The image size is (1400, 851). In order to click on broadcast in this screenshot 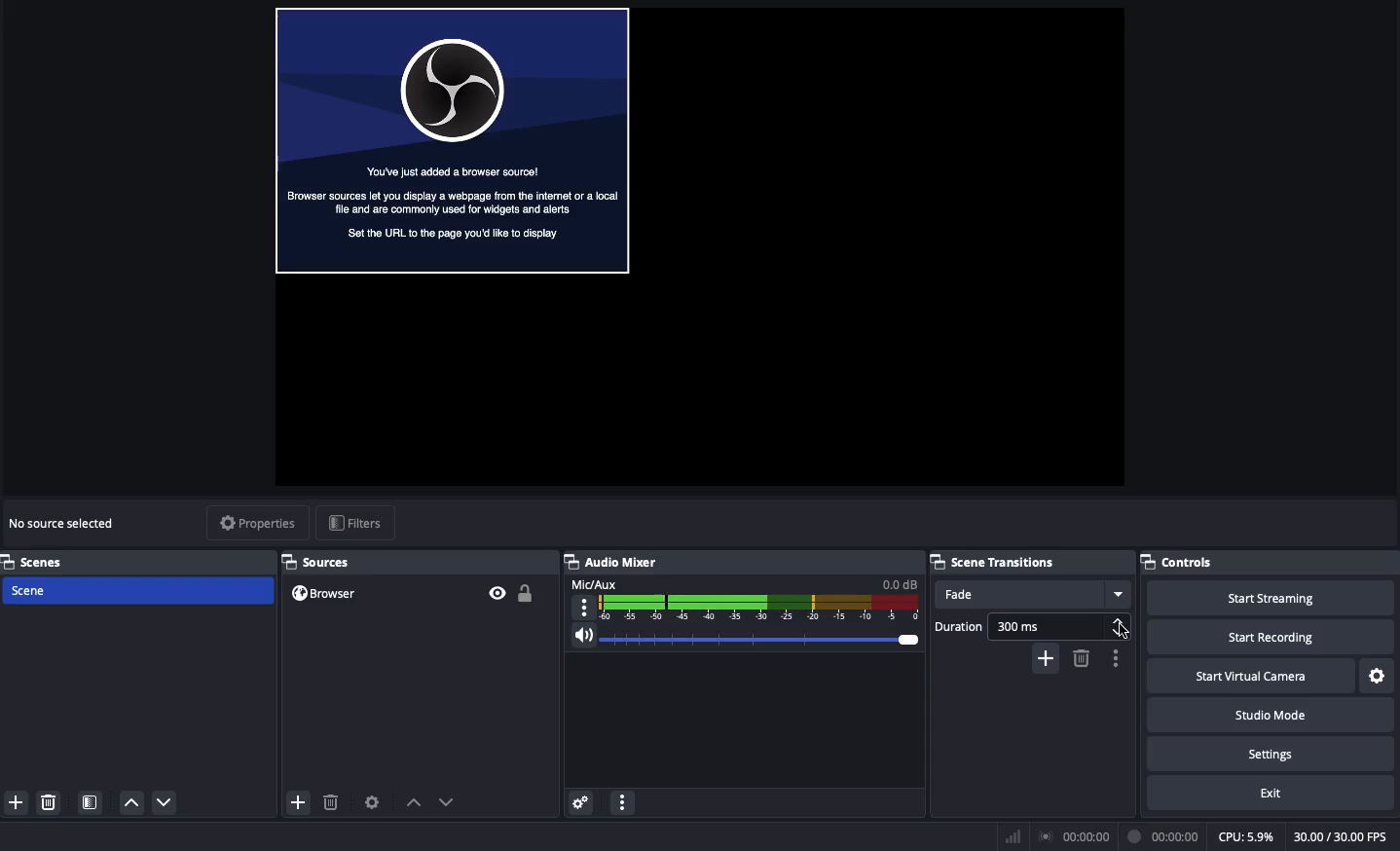, I will do `click(1161, 834)`.